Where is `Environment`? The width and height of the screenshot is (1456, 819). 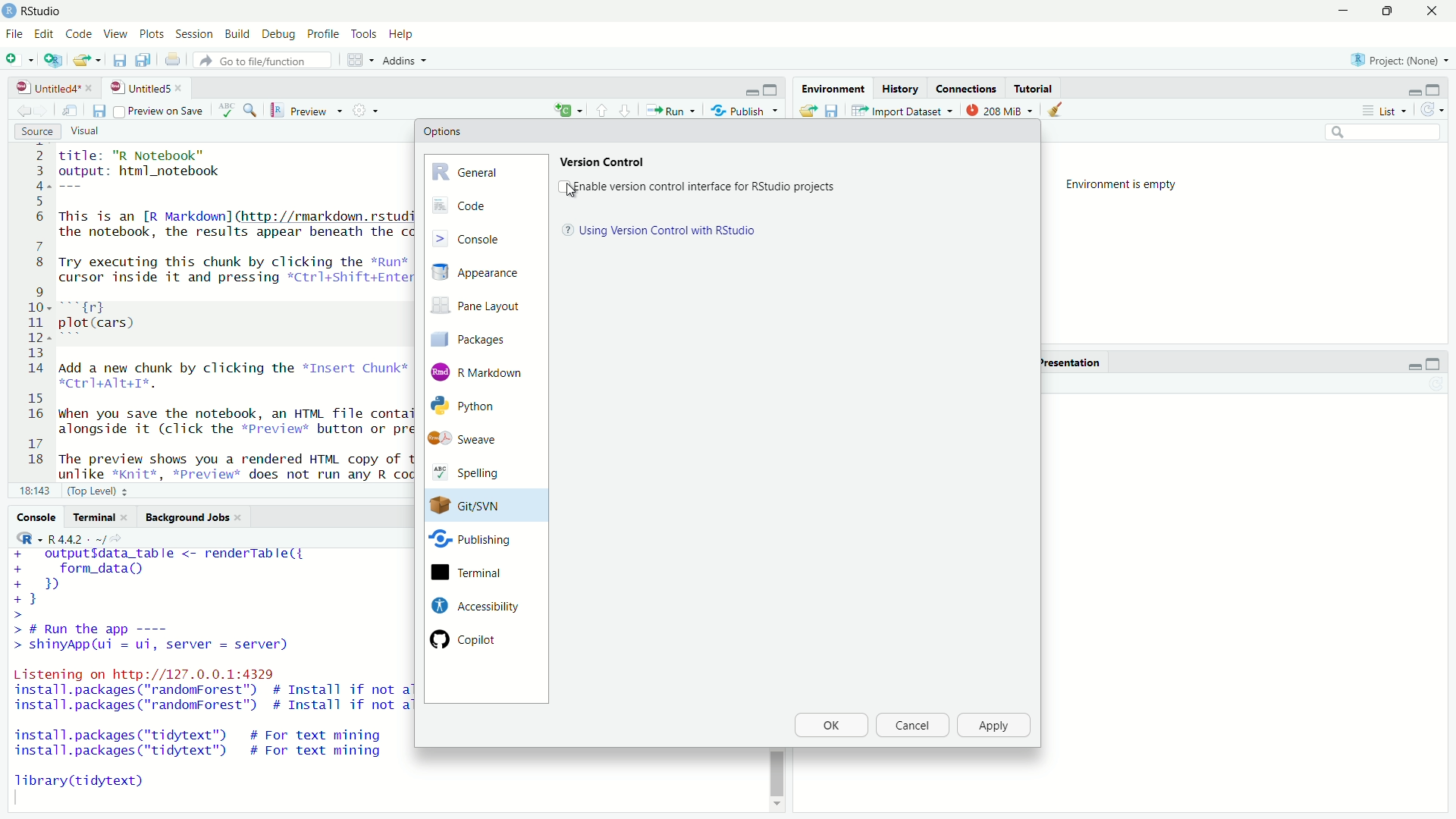
Environment is located at coordinates (831, 88).